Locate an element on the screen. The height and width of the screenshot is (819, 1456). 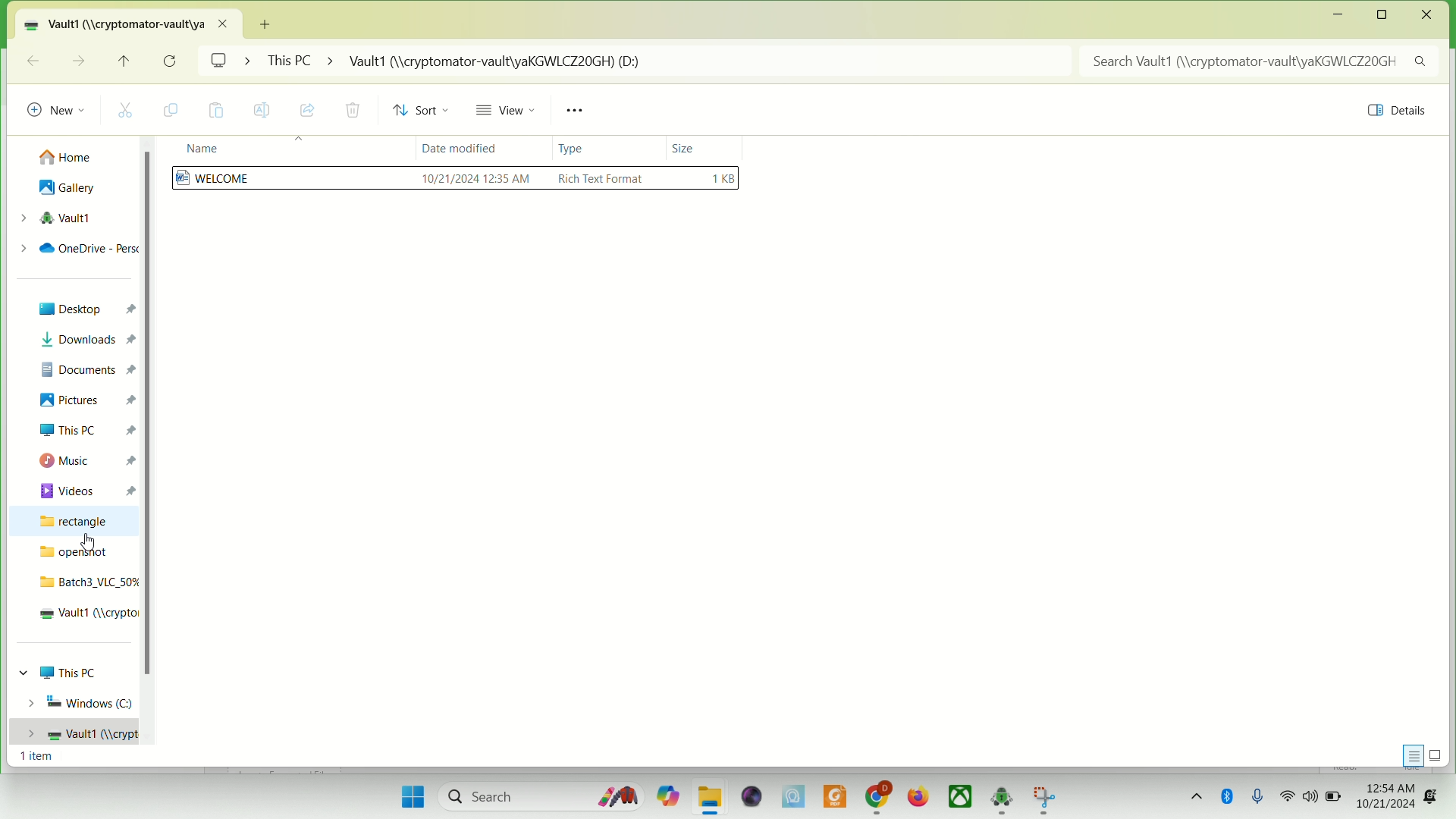
copy is located at coordinates (176, 111).